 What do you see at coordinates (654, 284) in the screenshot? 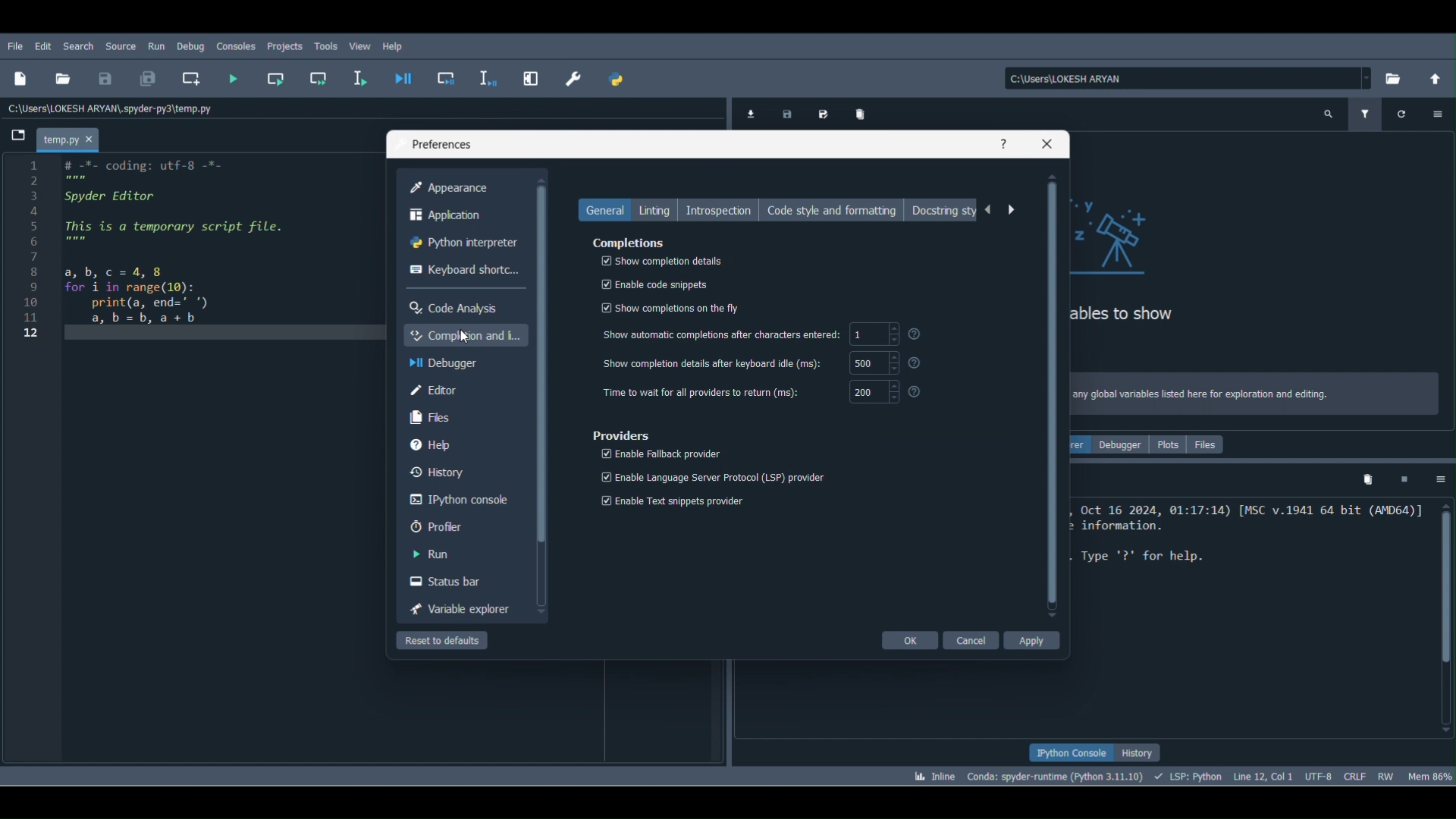
I see `Enable code snippets` at bounding box center [654, 284].